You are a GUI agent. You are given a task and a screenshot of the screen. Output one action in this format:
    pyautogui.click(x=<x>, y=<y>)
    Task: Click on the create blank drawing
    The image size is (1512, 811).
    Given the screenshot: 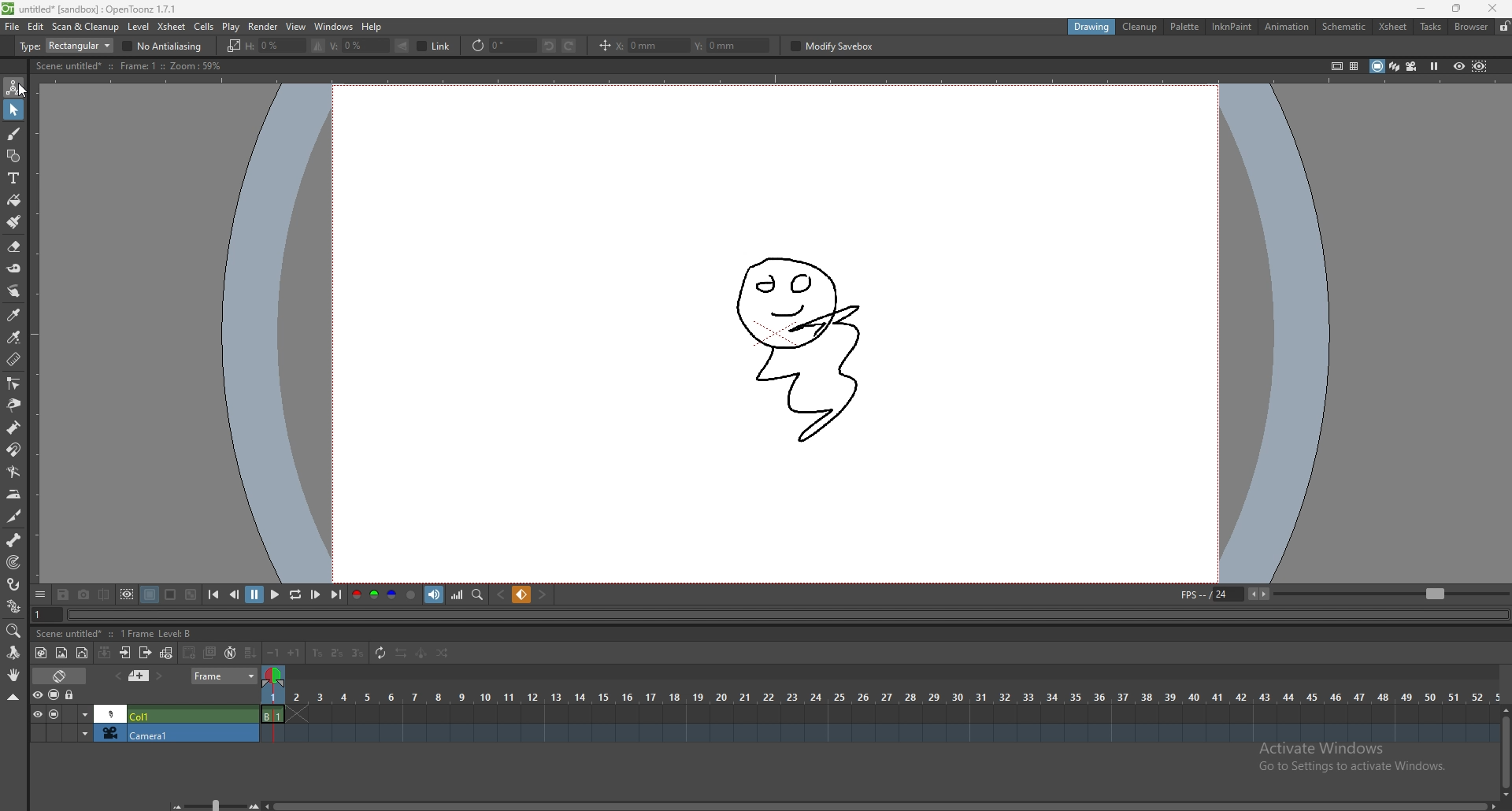 What is the action you would take?
    pyautogui.click(x=190, y=652)
    